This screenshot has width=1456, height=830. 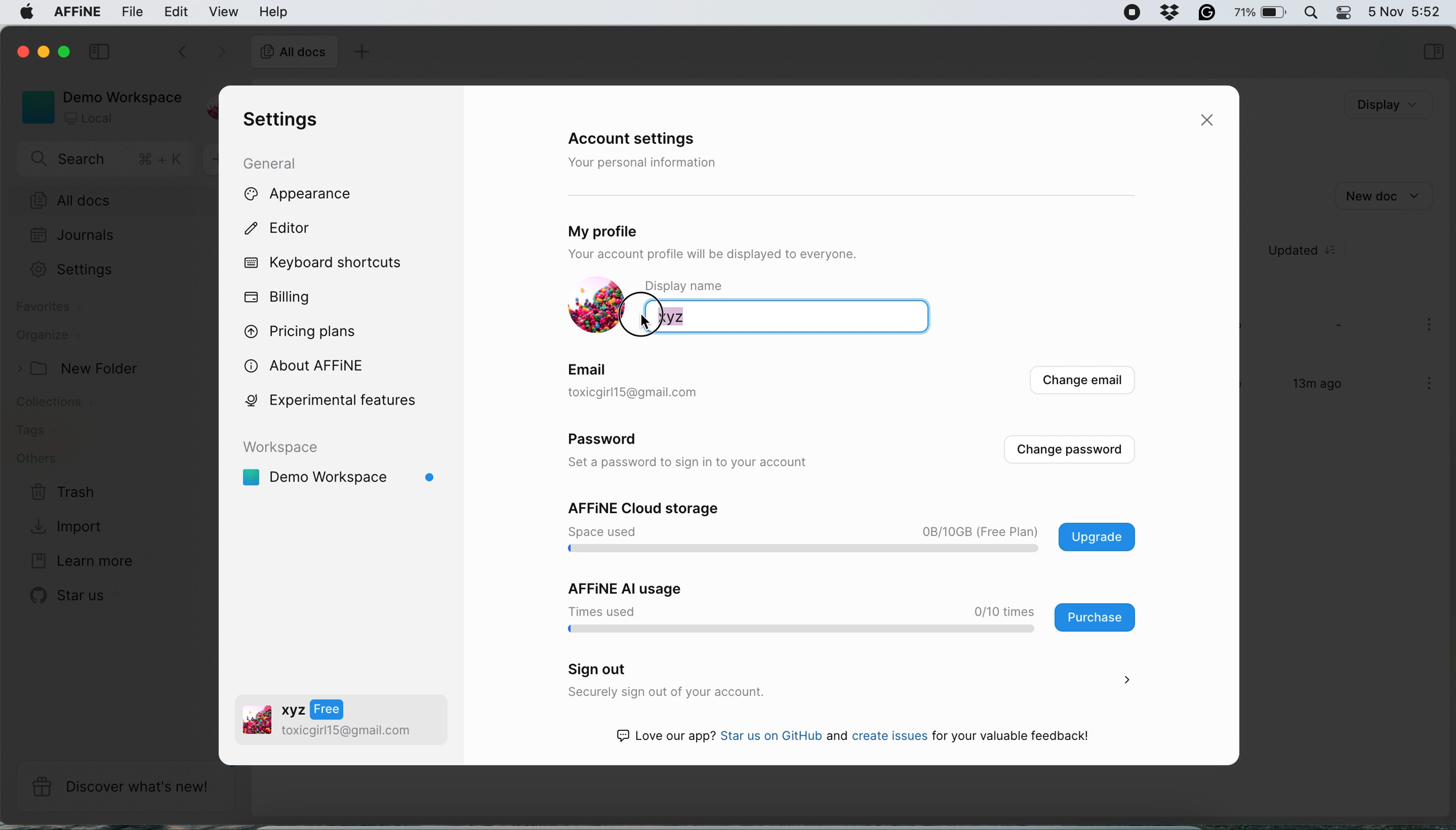 What do you see at coordinates (640, 140) in the screenshot?
I see `account settings` at bounding box center [640, 140].